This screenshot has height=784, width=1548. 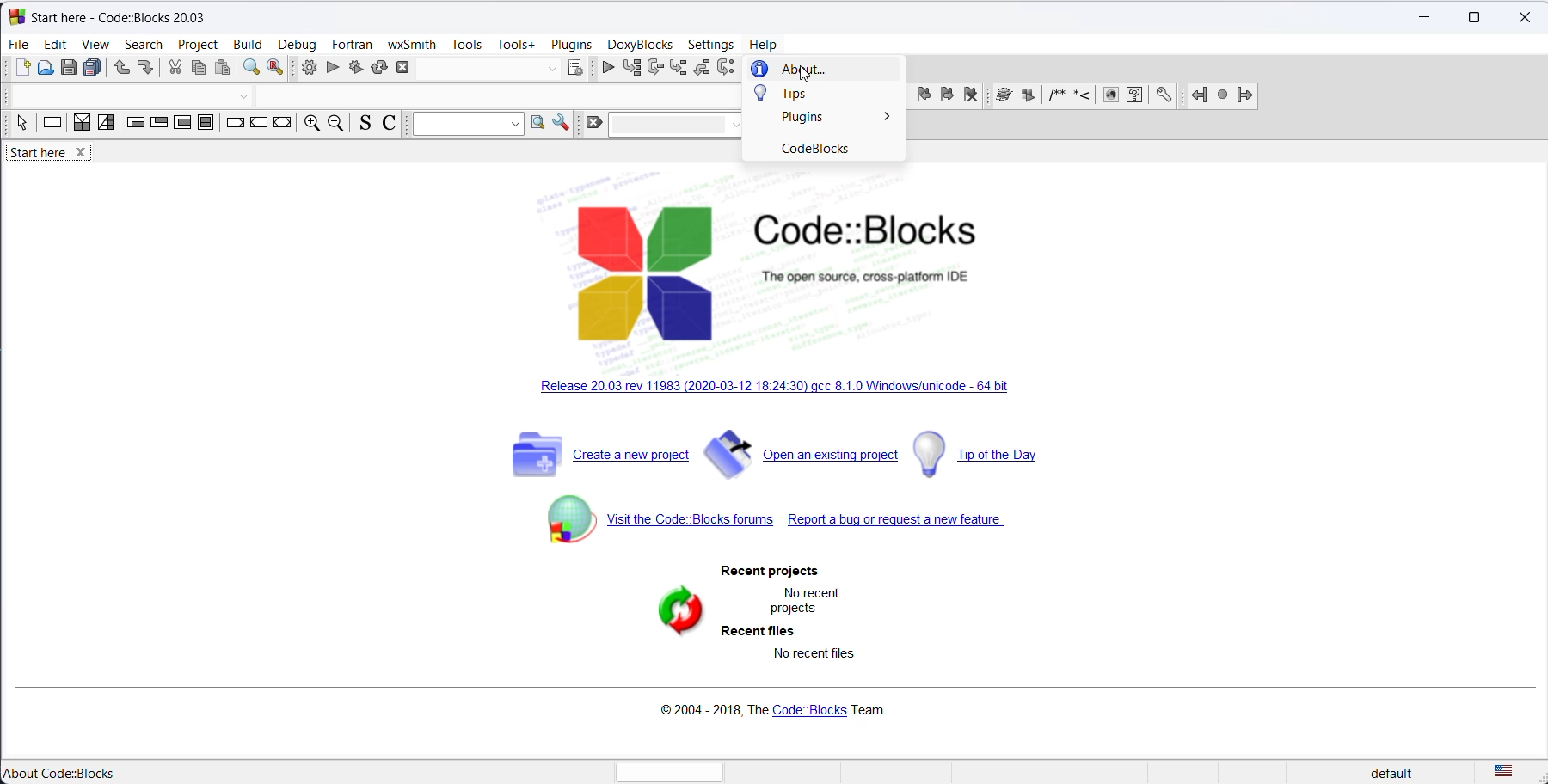 What do you see at coordinates (579, 69) in the screenshot?
I see `target dialog` at bounding box center [579, 69].